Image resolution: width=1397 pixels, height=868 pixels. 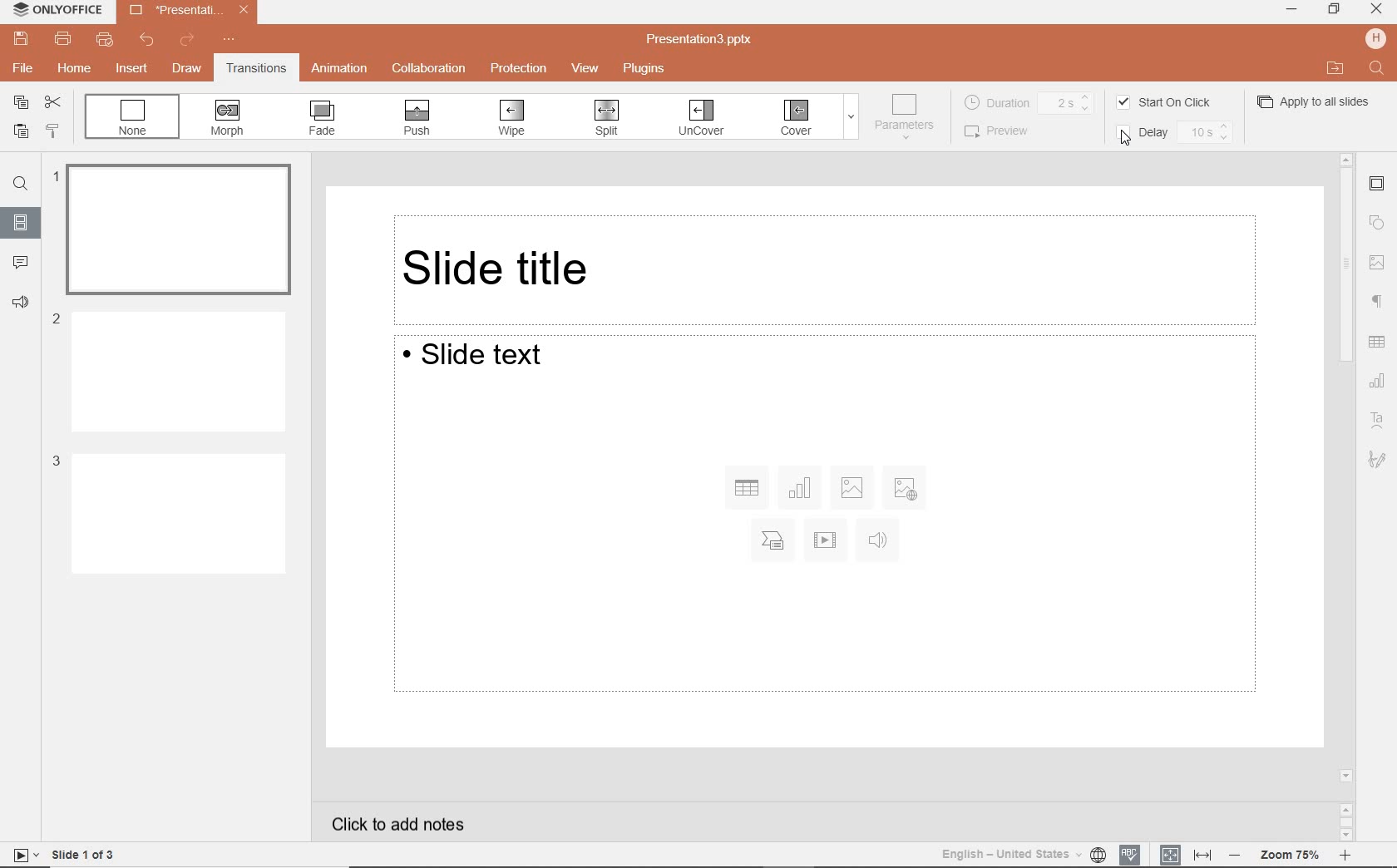 What do you see at coordinates (1168, 101) in the screenshot?
I see `START ON CLICK` at bounding box center [1168, 101].